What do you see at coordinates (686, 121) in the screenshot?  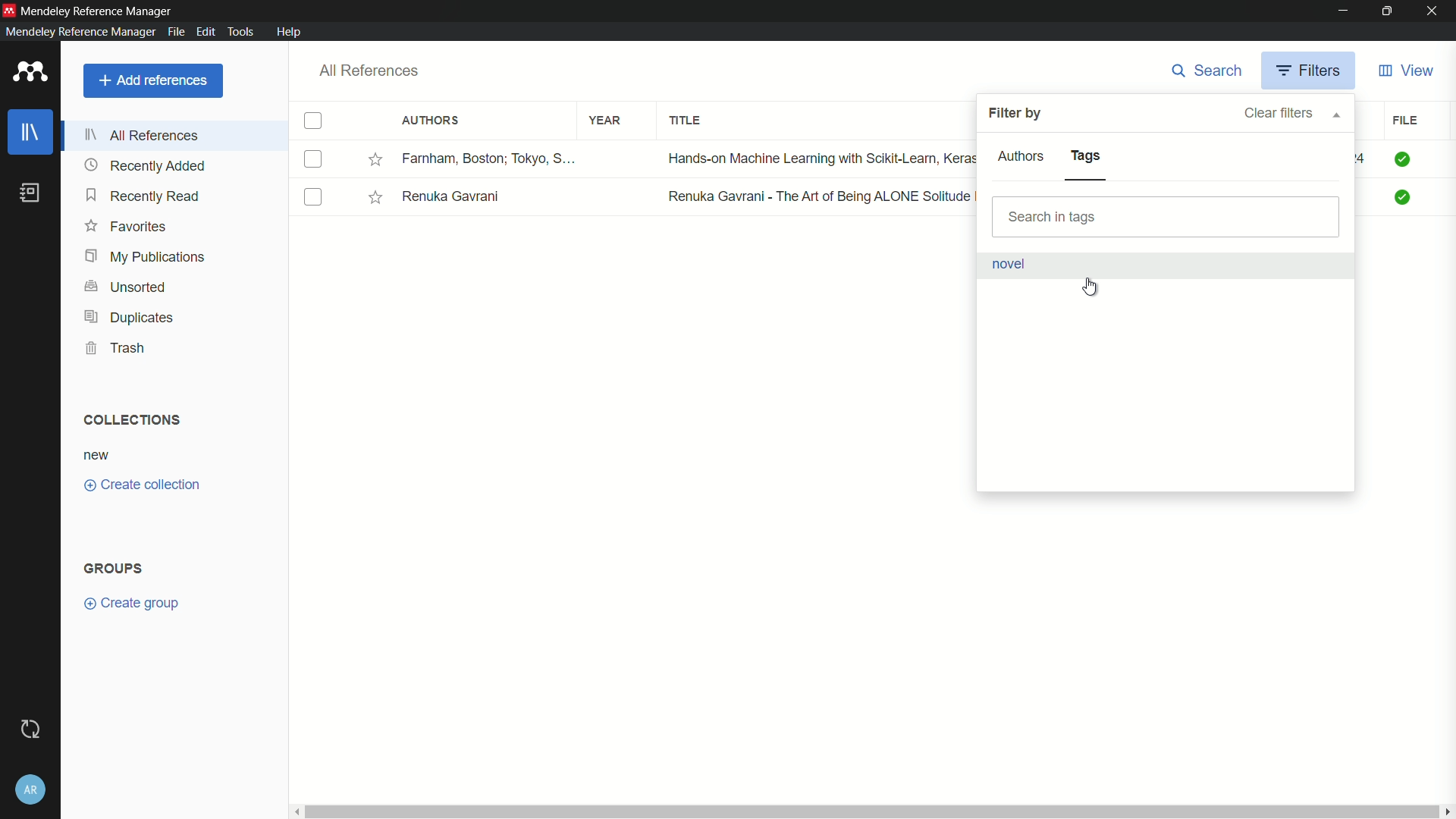 I see `title` at bounding box center [686, 121].